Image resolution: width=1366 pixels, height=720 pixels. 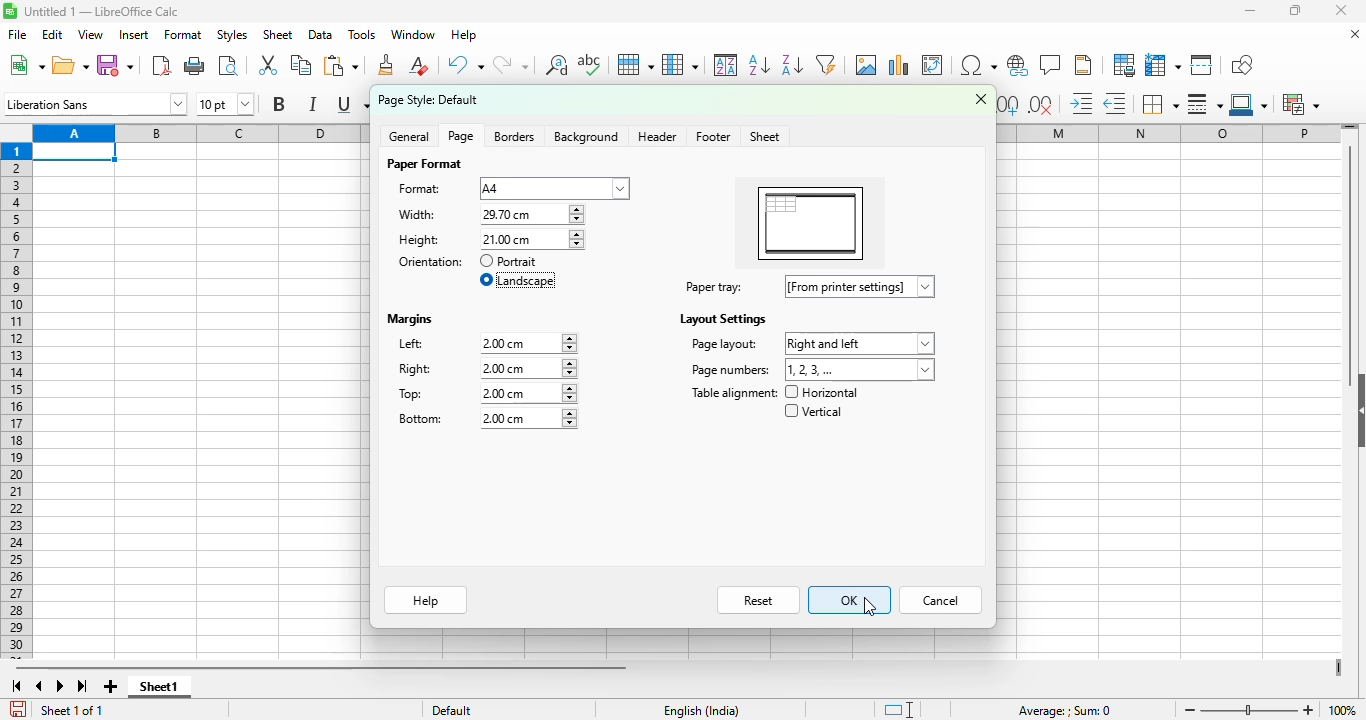 What do you see at coordinates (811, 226) in the screenshot?
I see `preview changed to landscape orientation` at bounding box center [811, 226].